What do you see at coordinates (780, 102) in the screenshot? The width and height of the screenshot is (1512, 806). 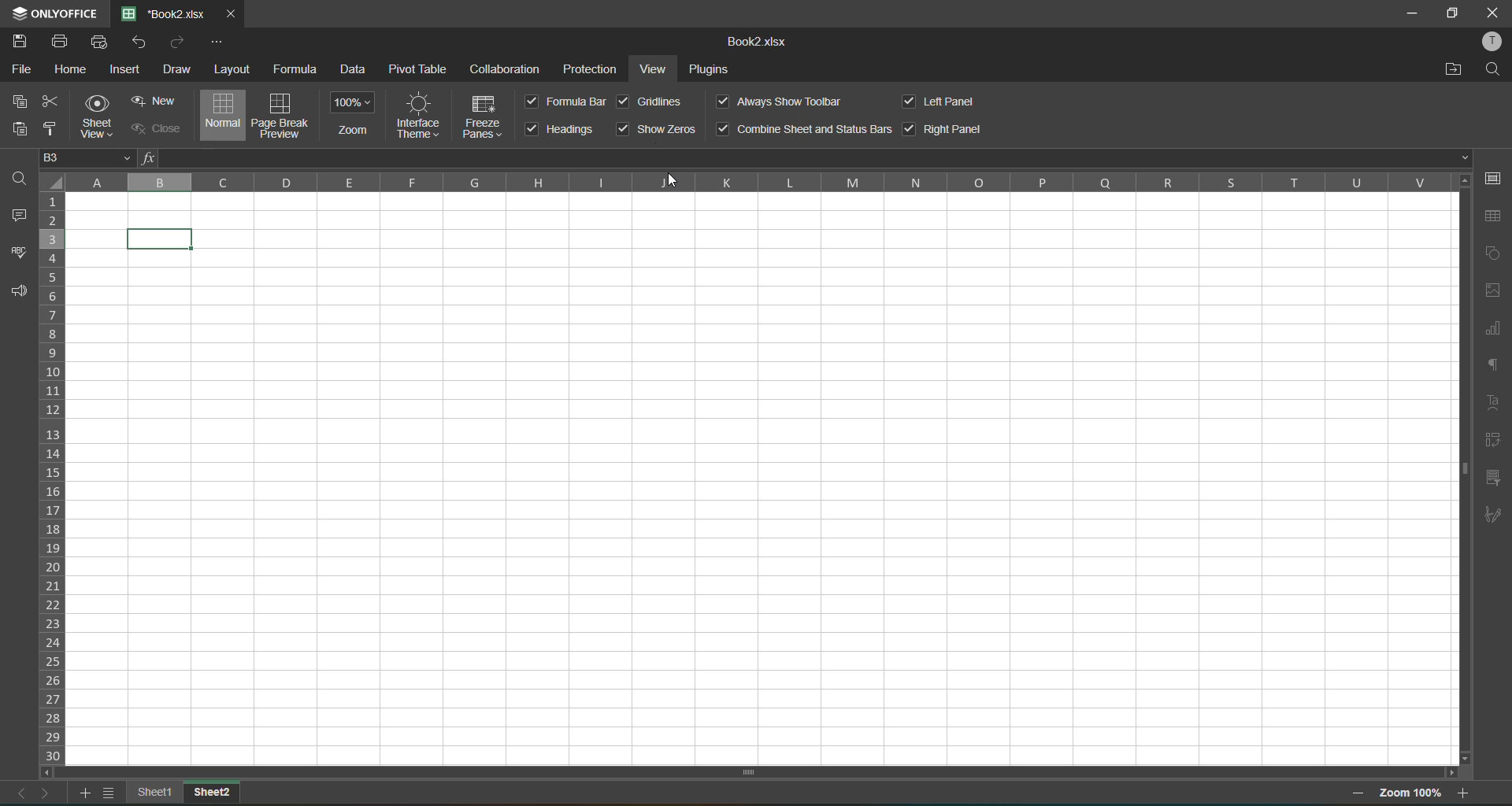 I see `always show toolbar` at bounding box center [780, 102].